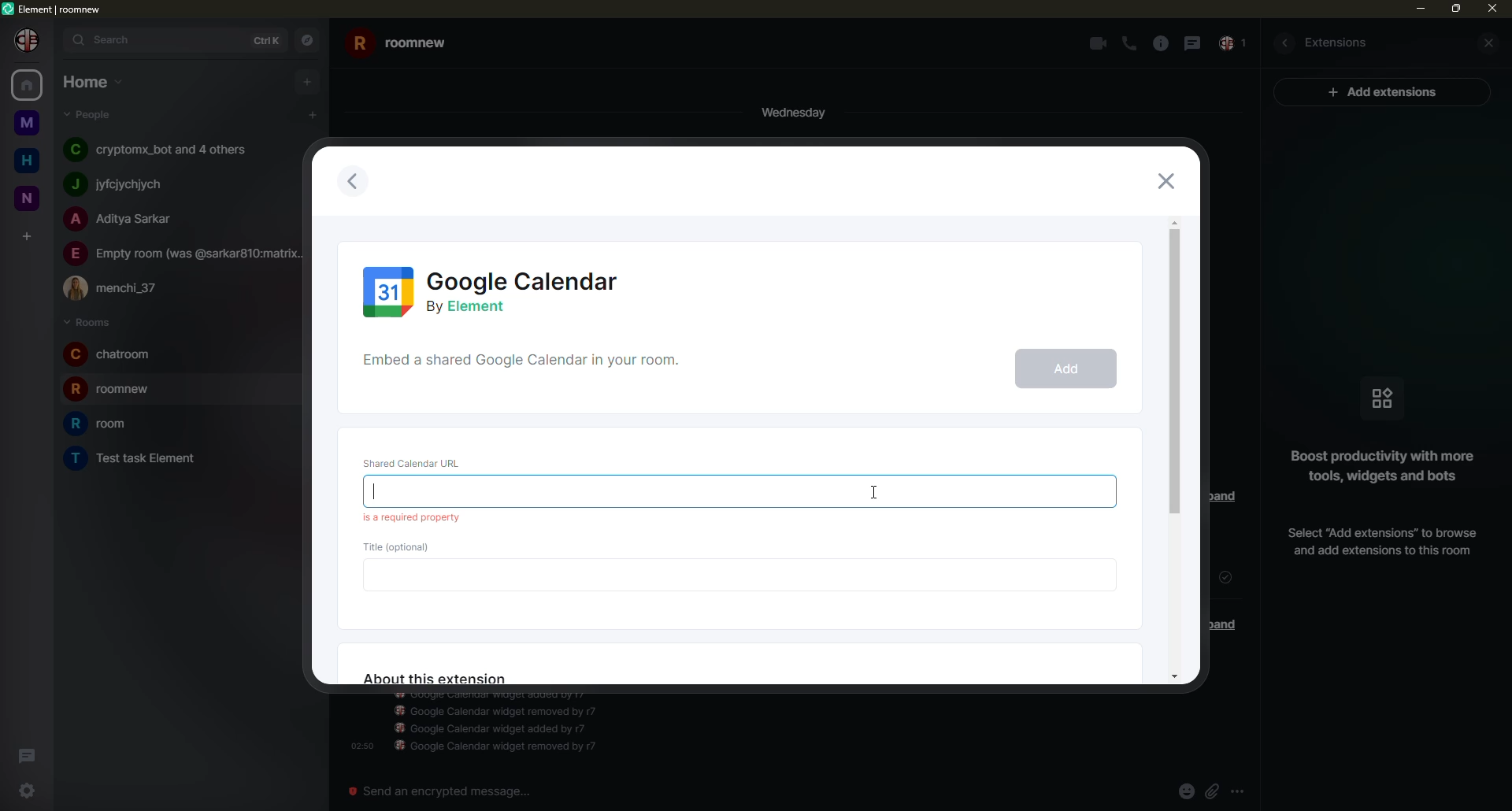  Describe the element at coordinates (1162, 44) in the screenshot. I see `info` at that location.